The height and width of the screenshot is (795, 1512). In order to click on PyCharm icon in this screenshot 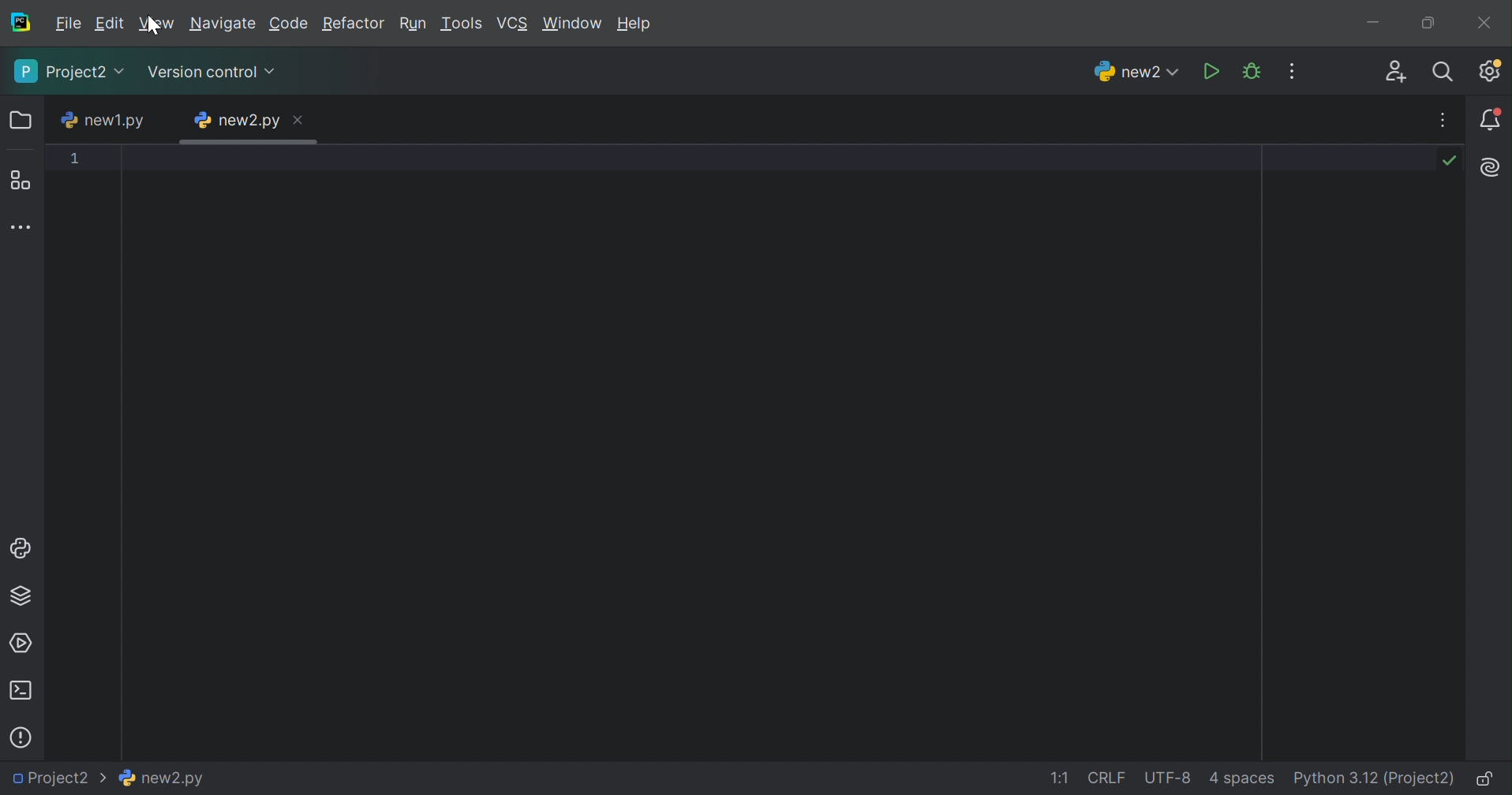, I will do `click(17, 21)`.